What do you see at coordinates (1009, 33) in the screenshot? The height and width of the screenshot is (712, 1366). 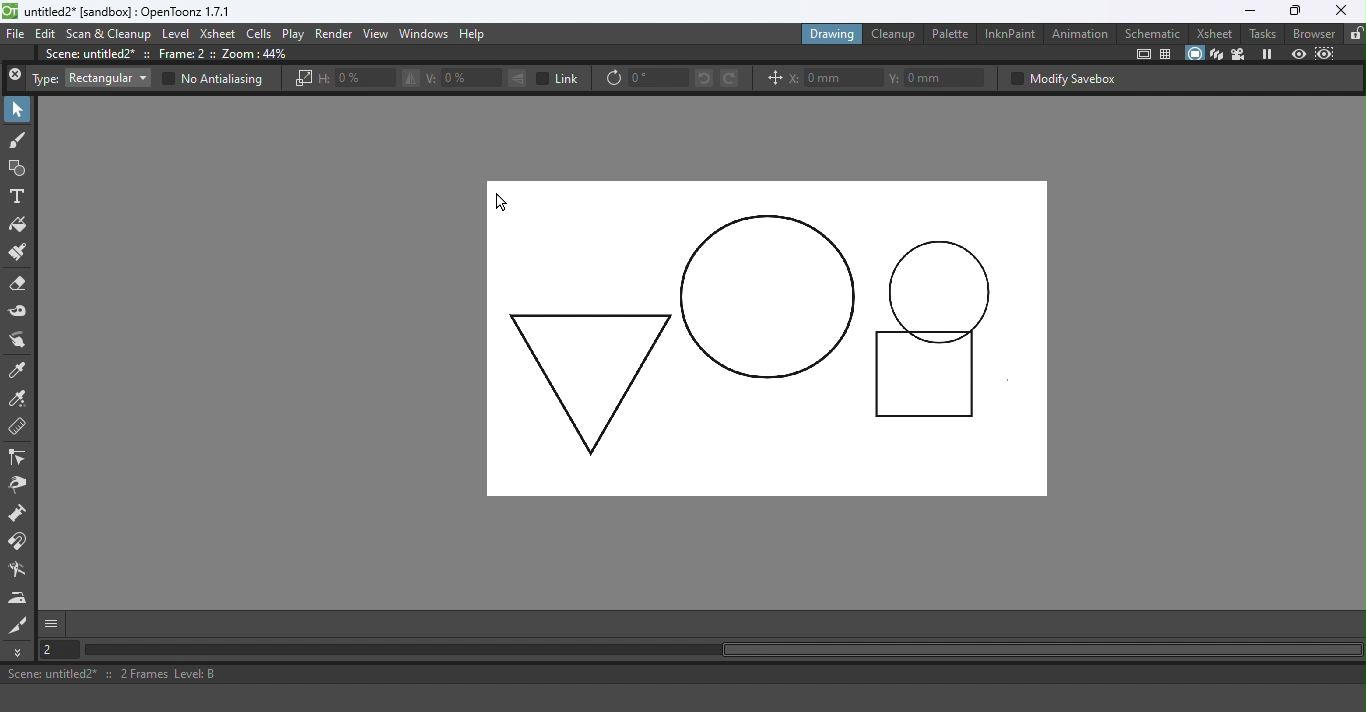 I see `InknPaint` at bounding box center [1009, 33].